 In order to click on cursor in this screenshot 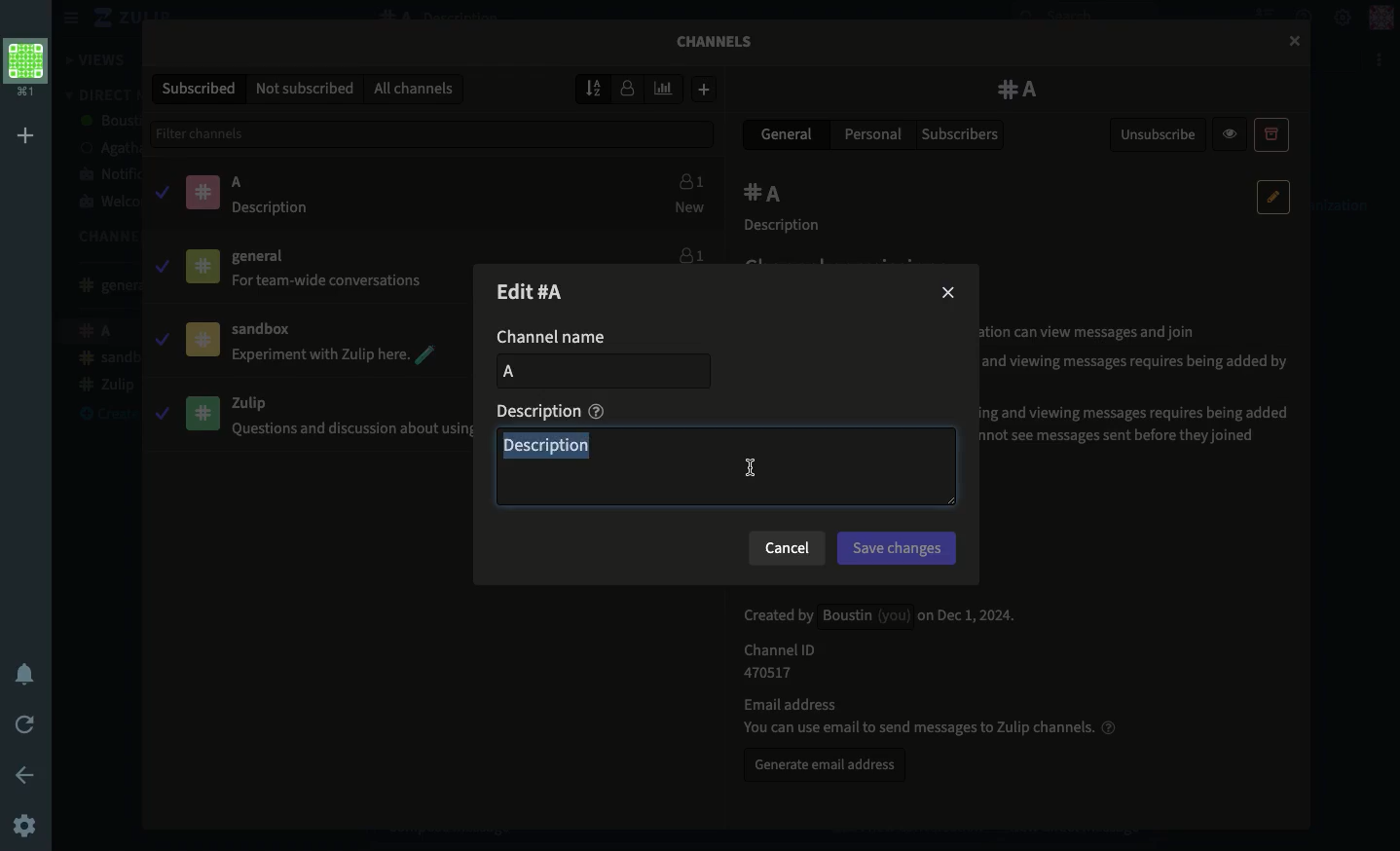, I will do `click(750, 466)`.